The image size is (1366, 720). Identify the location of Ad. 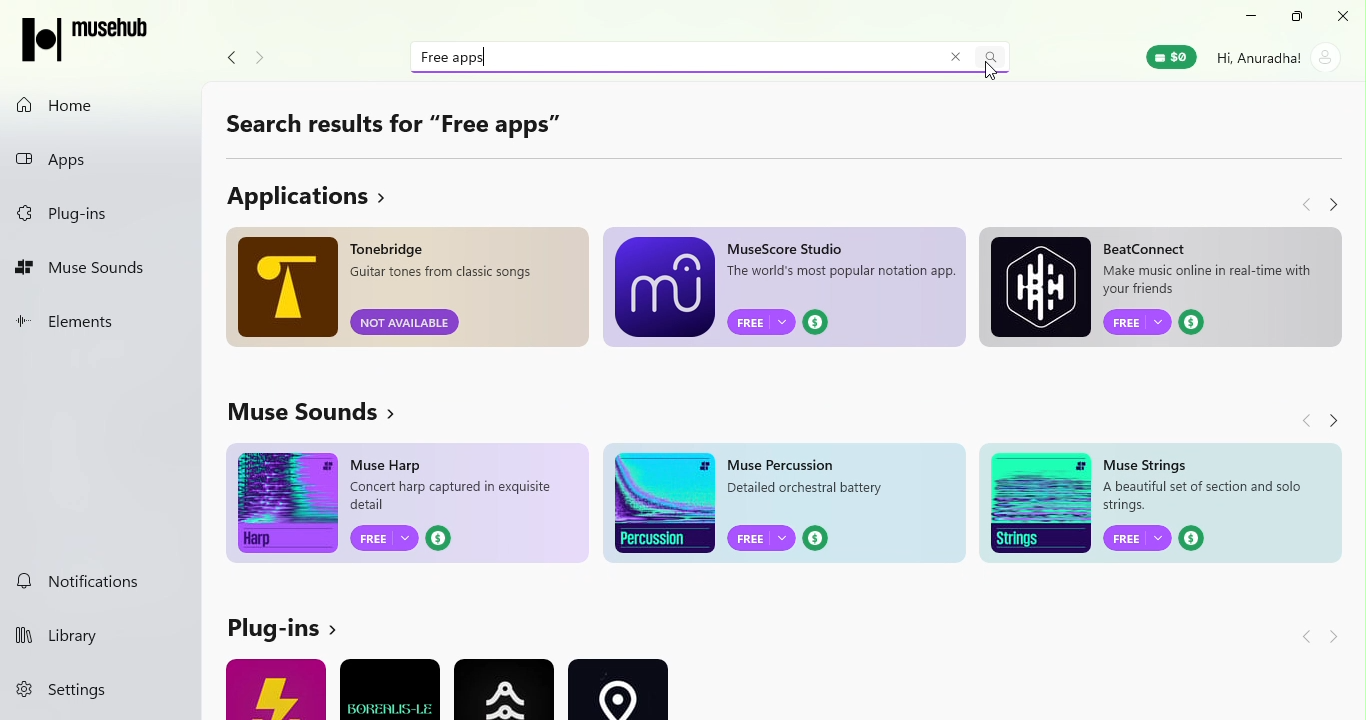
(408, 287).